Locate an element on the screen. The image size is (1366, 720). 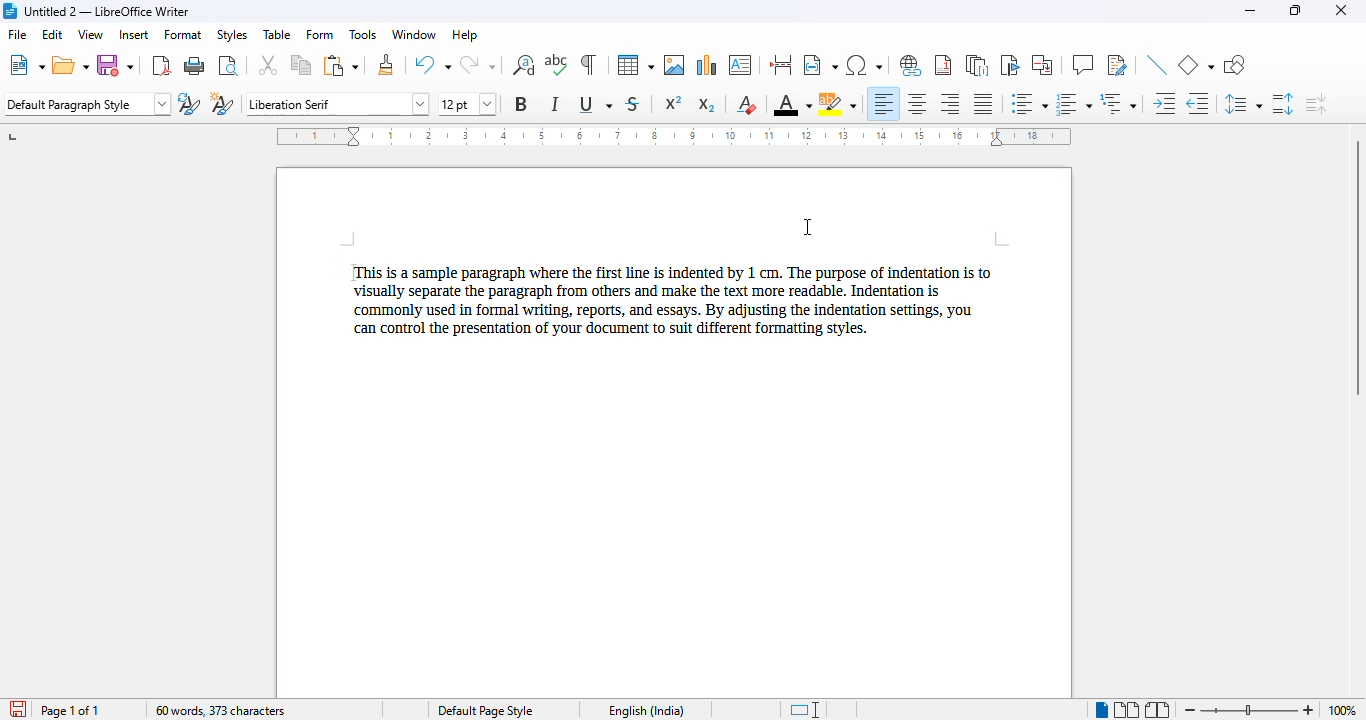
increase indent is located at coordinates (1163, 103).